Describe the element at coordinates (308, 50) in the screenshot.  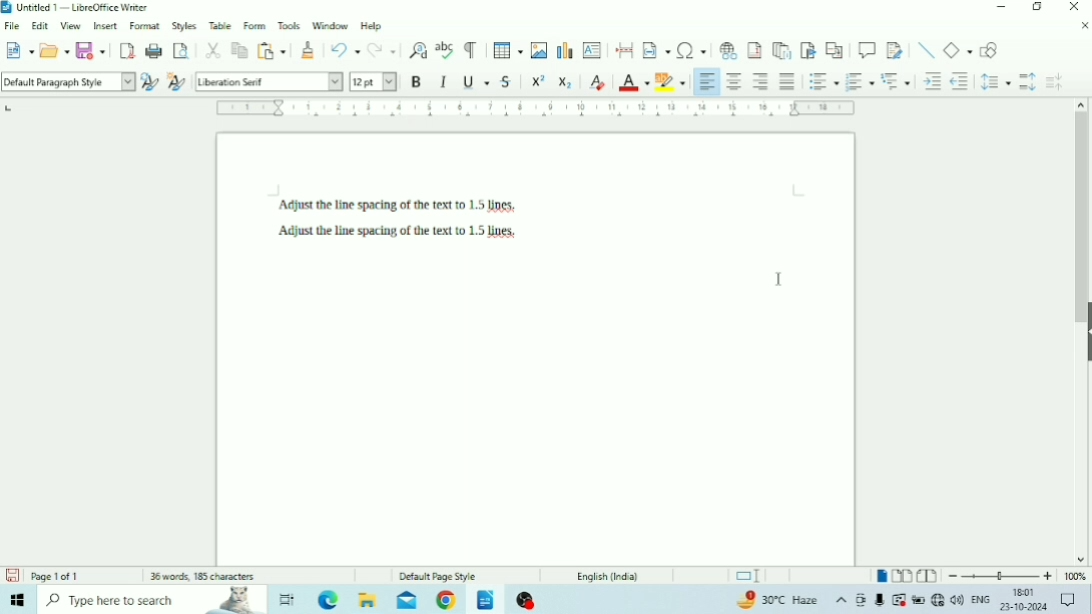
I see `Clone Formatting` at that location.